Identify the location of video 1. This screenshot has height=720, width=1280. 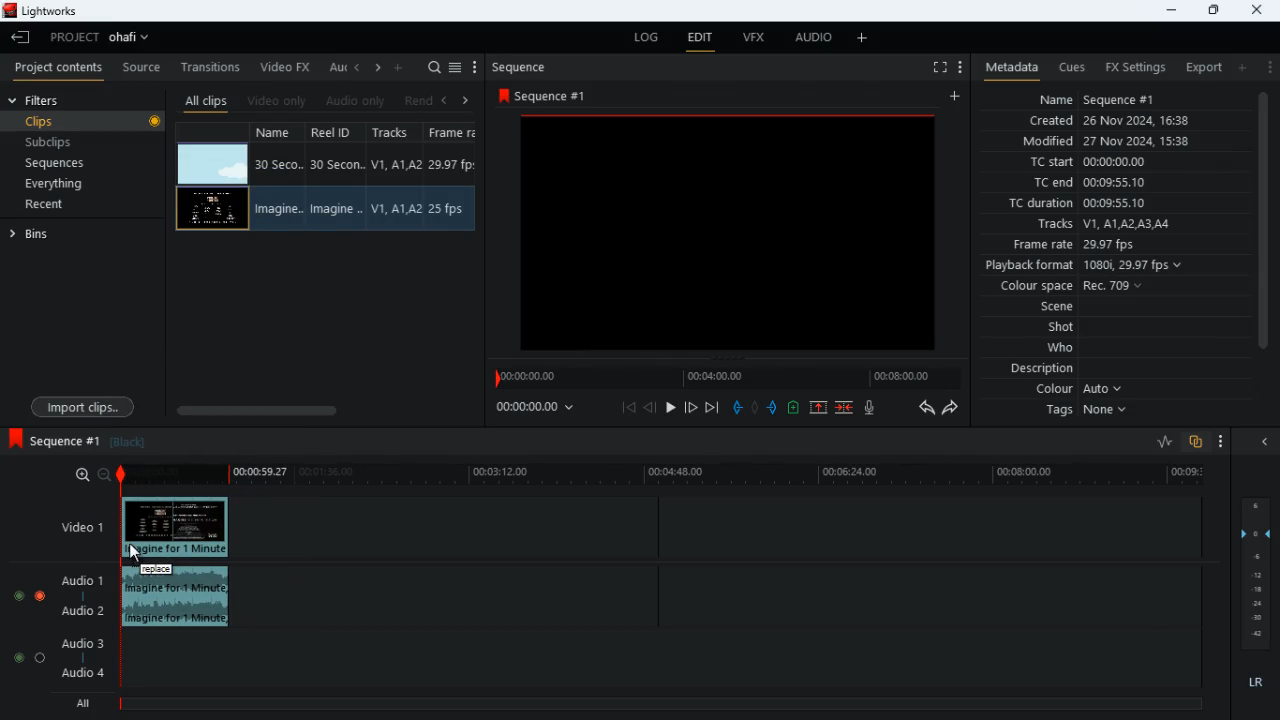
(78, 527).